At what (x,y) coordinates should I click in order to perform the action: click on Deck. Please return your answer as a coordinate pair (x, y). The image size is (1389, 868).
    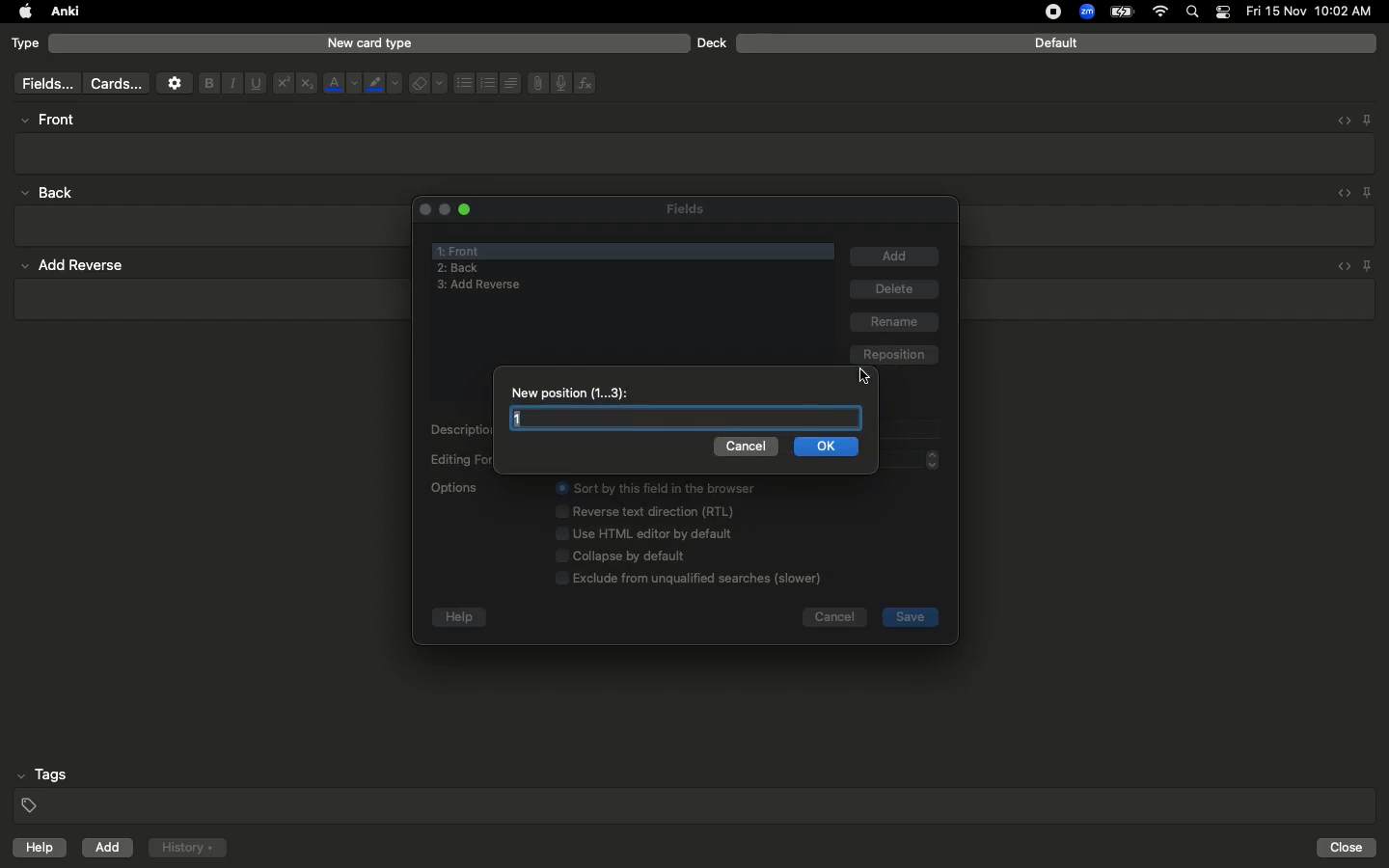
    Looking at the image, I should click on (711, 42).